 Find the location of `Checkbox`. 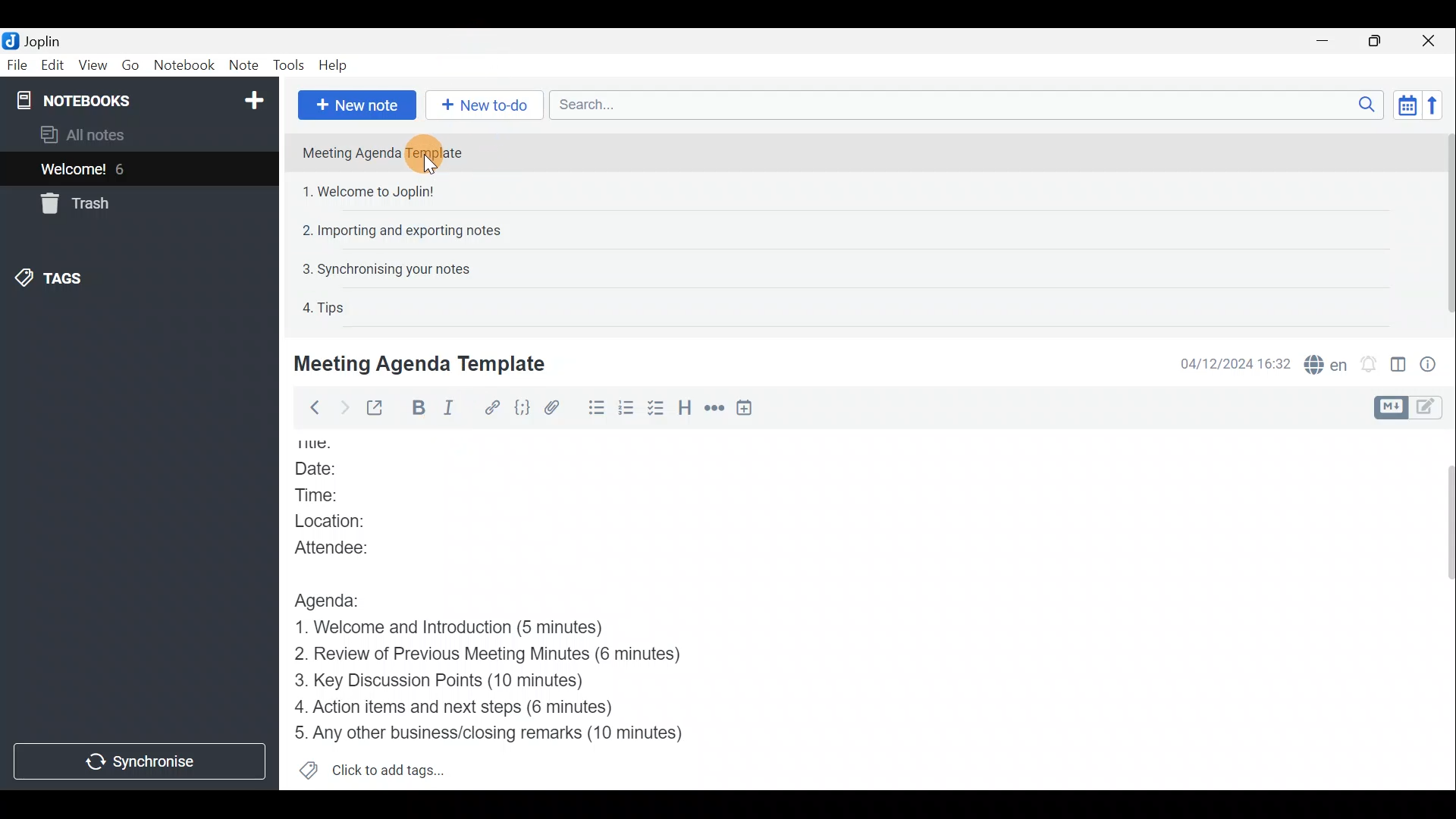

Checkbox is located at coordinates (654, 409).